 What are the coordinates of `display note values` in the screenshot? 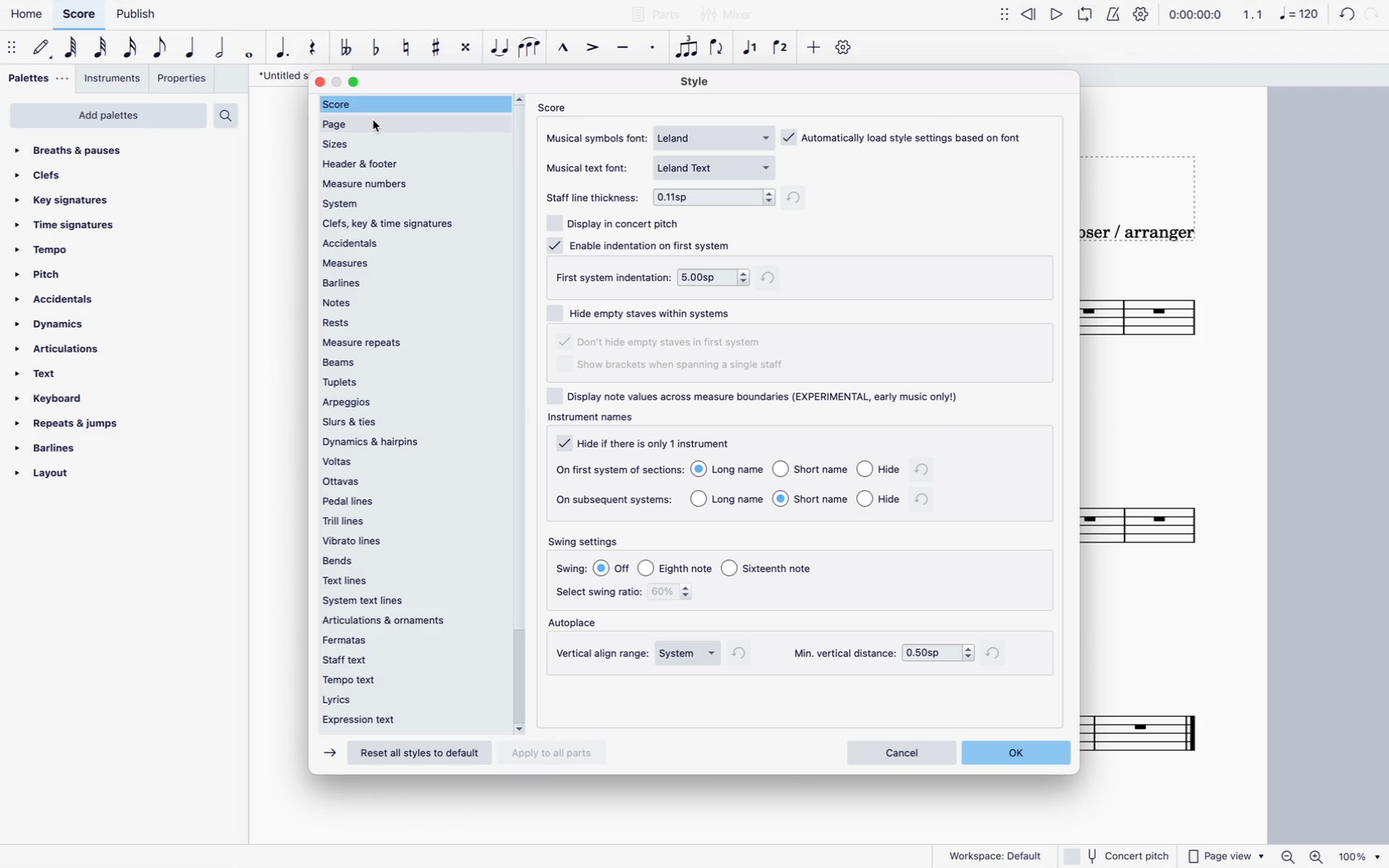 It's located at (769, 405).